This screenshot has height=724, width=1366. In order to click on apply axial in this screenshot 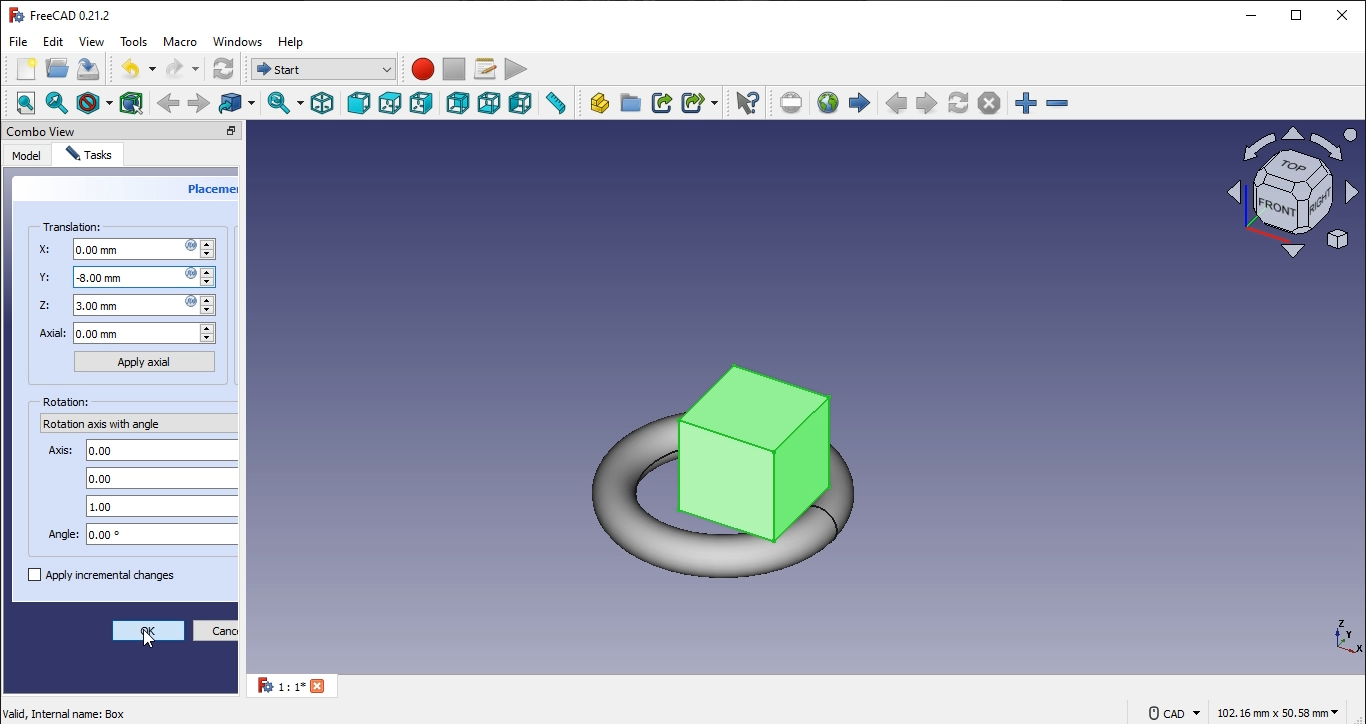, I will do `click(145, 362)`.